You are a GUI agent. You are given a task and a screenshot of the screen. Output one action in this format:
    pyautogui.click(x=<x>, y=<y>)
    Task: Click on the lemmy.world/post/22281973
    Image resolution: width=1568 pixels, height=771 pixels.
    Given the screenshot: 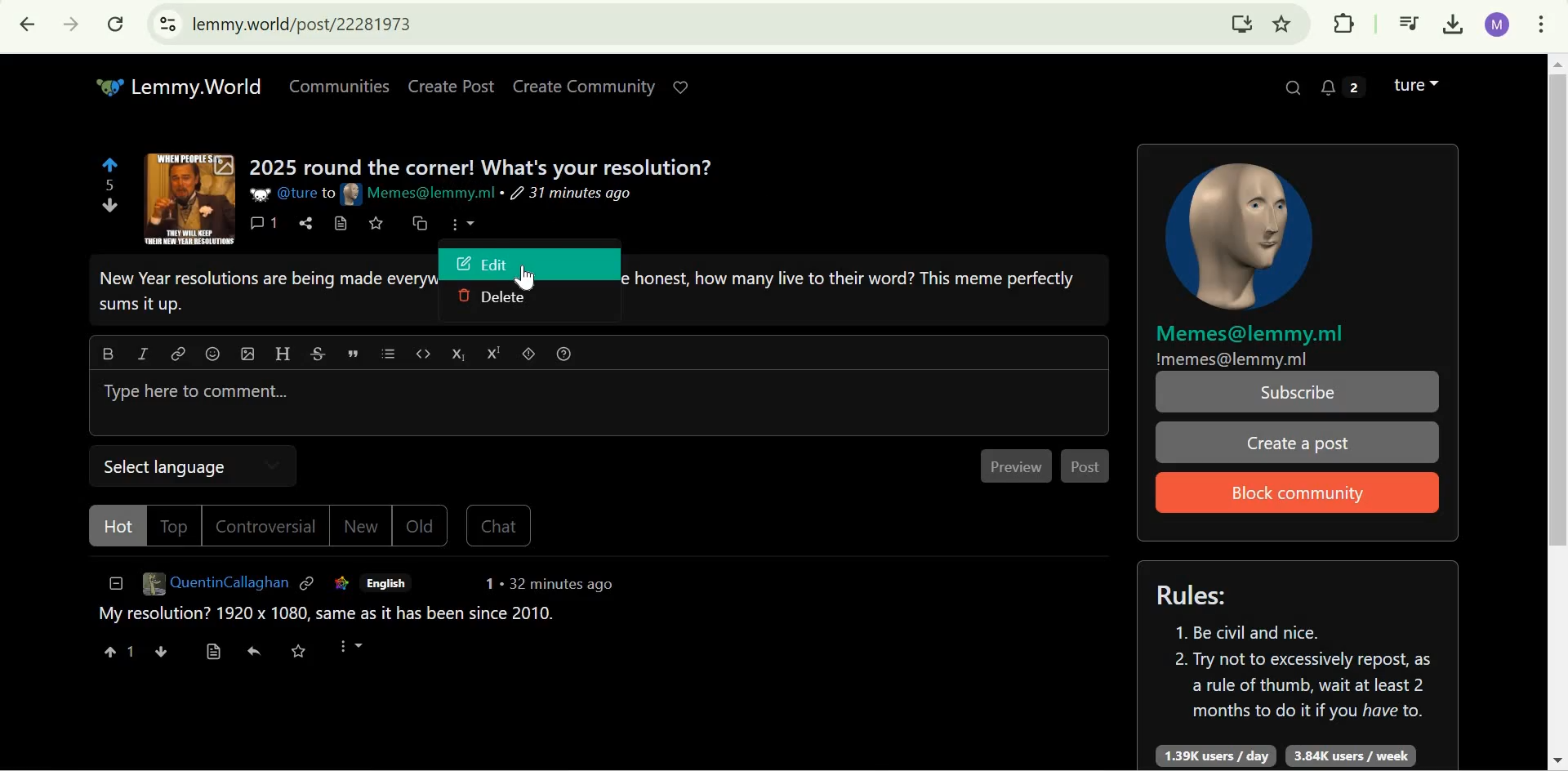 What is the action you would take?
    pyautogui.click(x=305, y=24)
    